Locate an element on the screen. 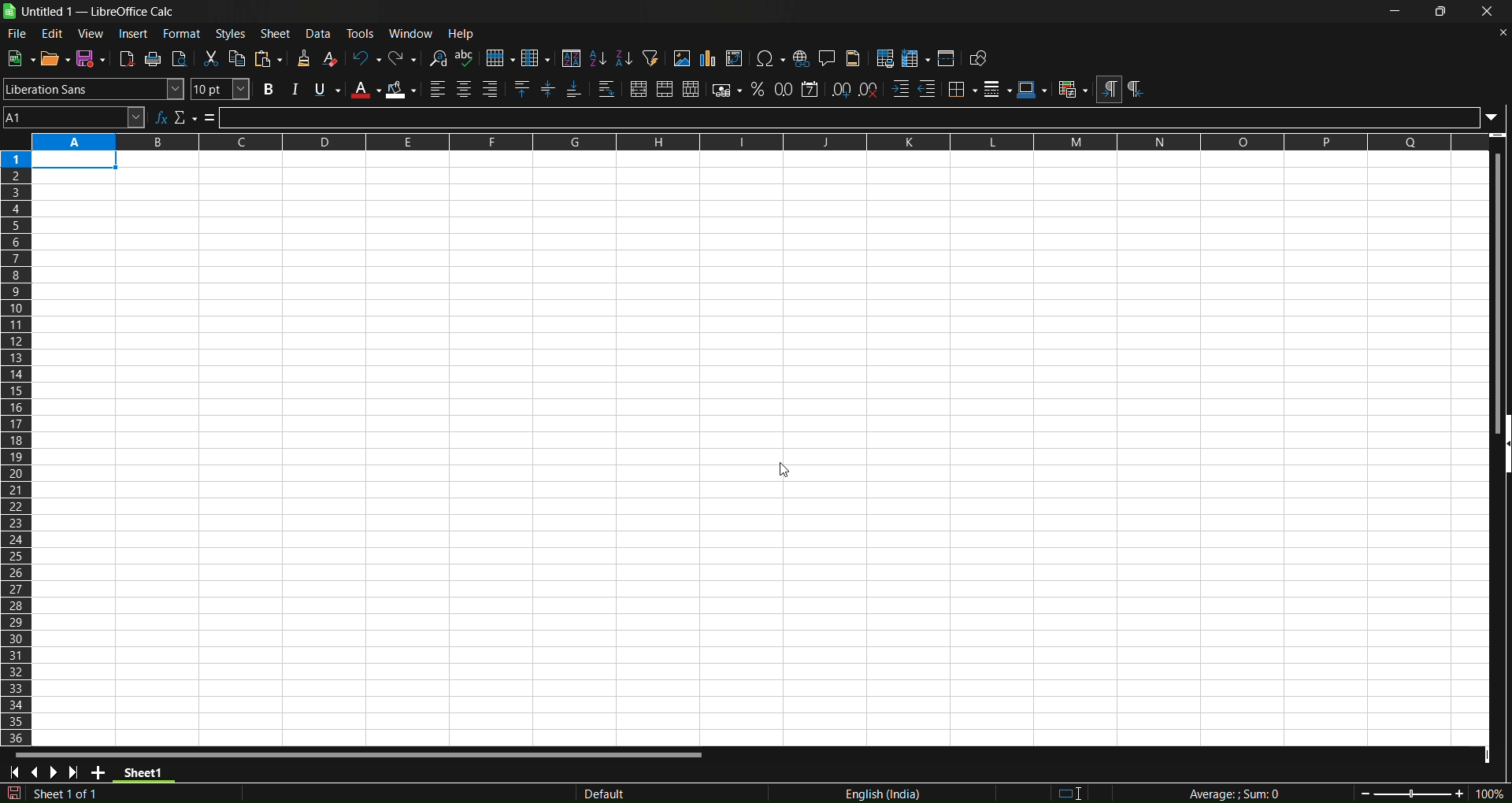 This screenshot has width=1512, height=803. clear direct formatting is located at coordinates (332, 58).